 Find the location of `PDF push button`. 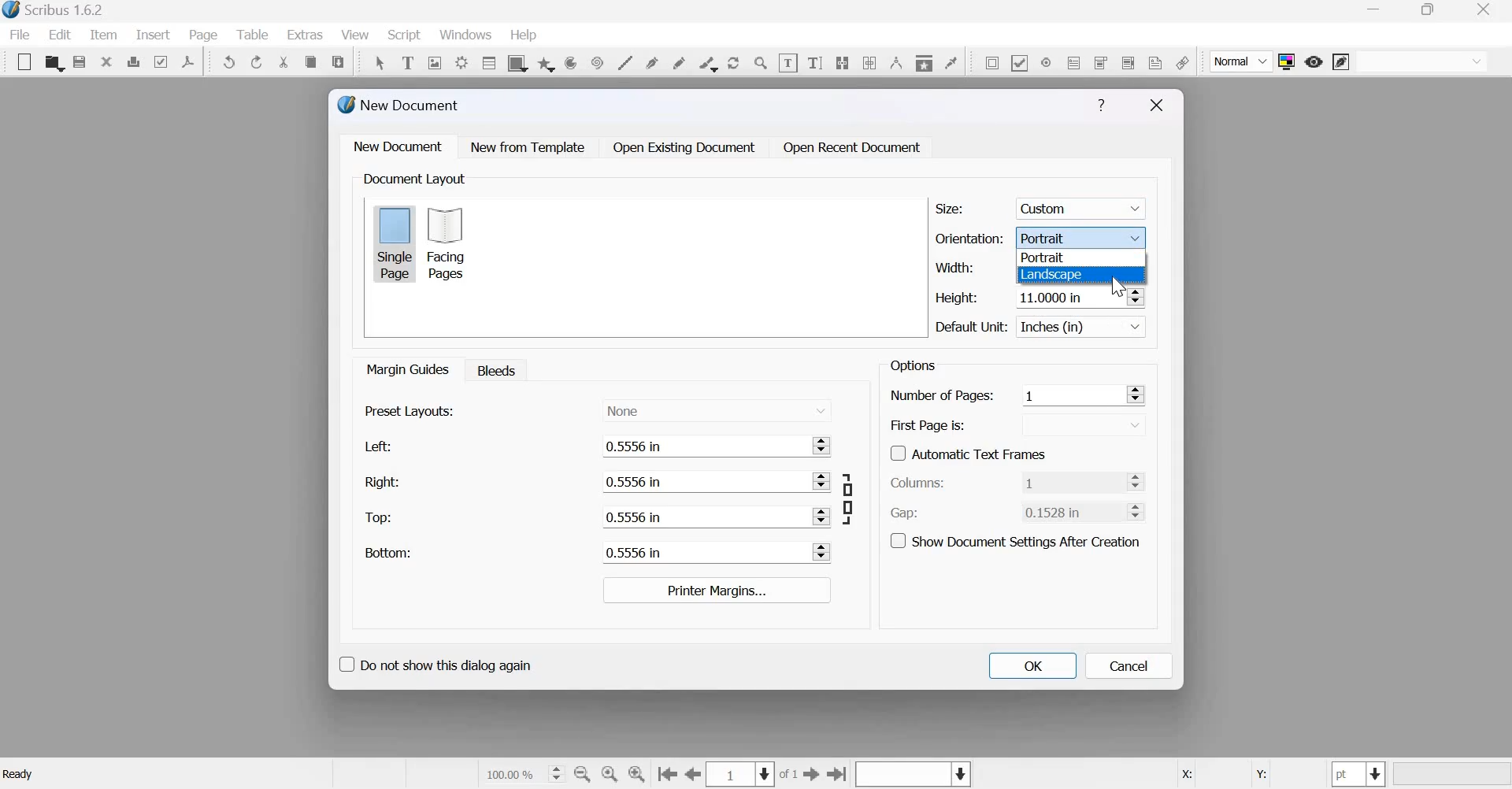

PDF push button is located at coordinates (989, 62).